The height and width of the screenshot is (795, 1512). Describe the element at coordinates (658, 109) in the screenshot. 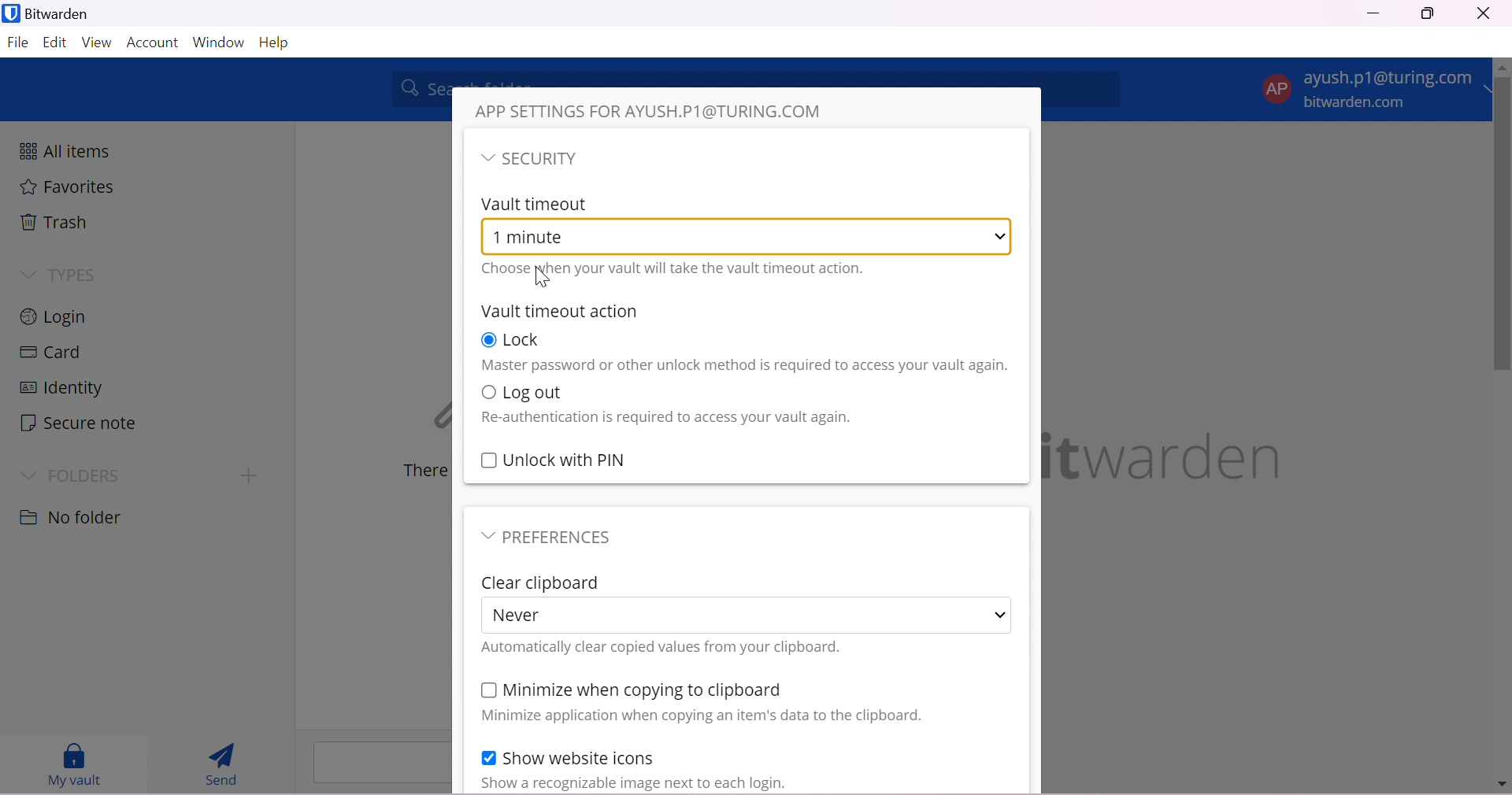

I see `APP SETTINGS FOR AYUSH.P1@TURING.COM` at that location.